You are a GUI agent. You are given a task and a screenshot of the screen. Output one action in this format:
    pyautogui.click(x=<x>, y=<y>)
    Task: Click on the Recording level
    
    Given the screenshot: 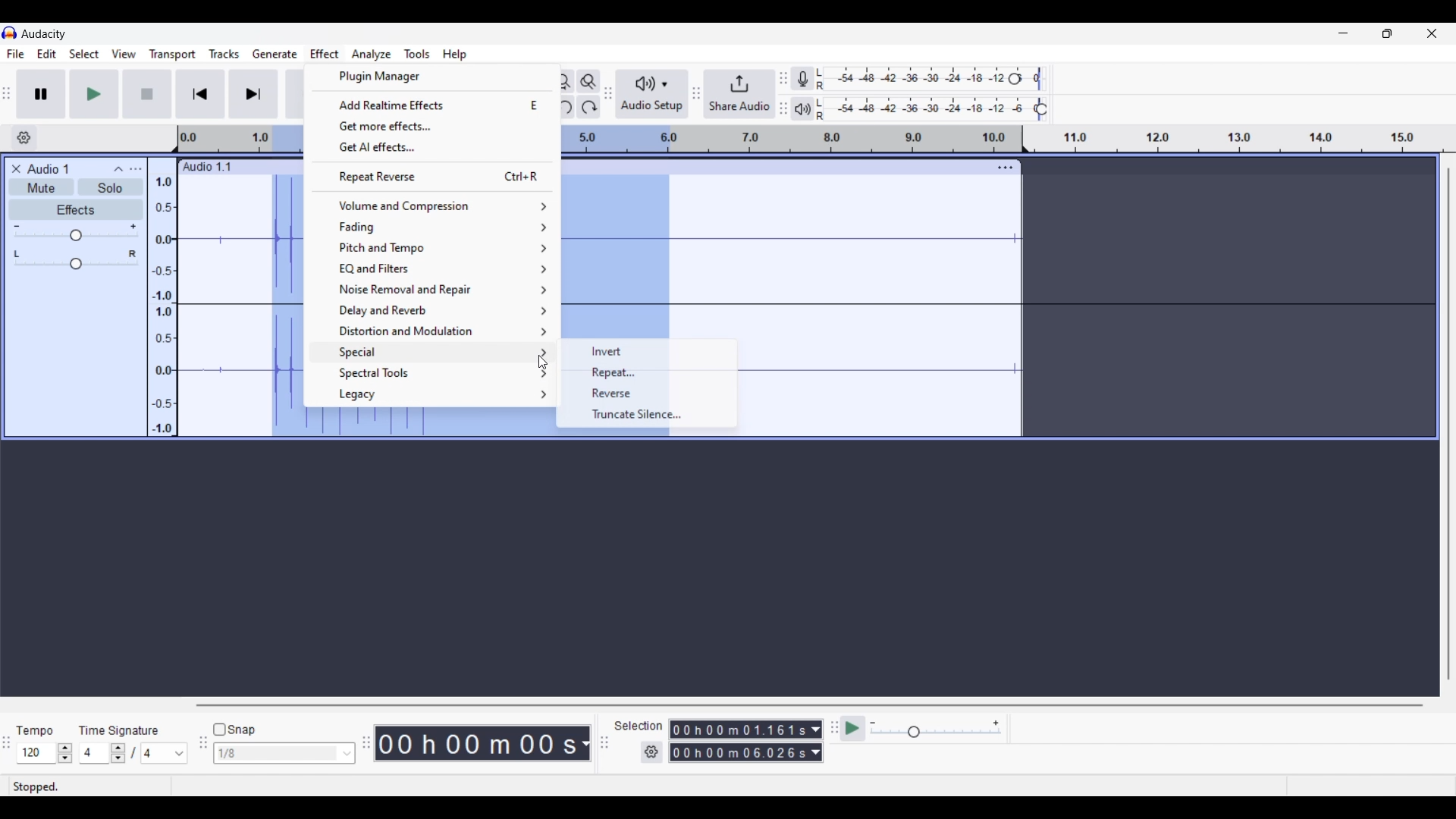 What is the action you would take?
    pyautogui.click(x=914, y=79)
    